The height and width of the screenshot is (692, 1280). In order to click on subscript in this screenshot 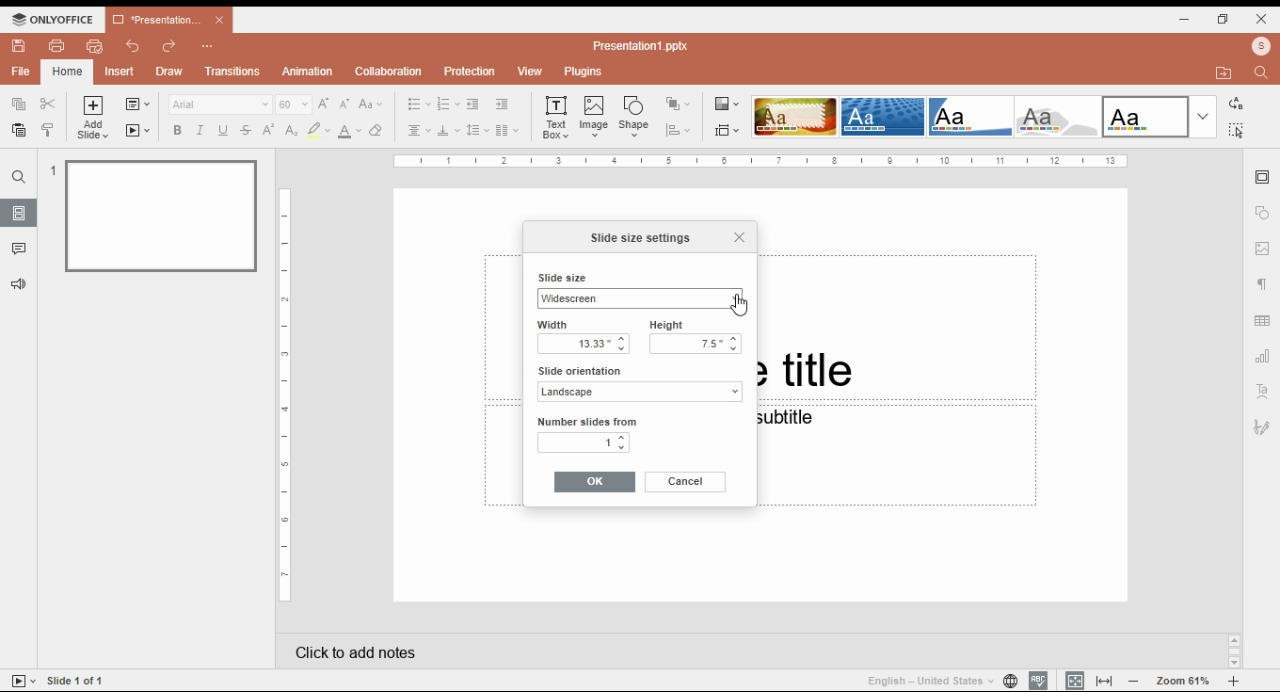, I will do `click(289, 130)`.